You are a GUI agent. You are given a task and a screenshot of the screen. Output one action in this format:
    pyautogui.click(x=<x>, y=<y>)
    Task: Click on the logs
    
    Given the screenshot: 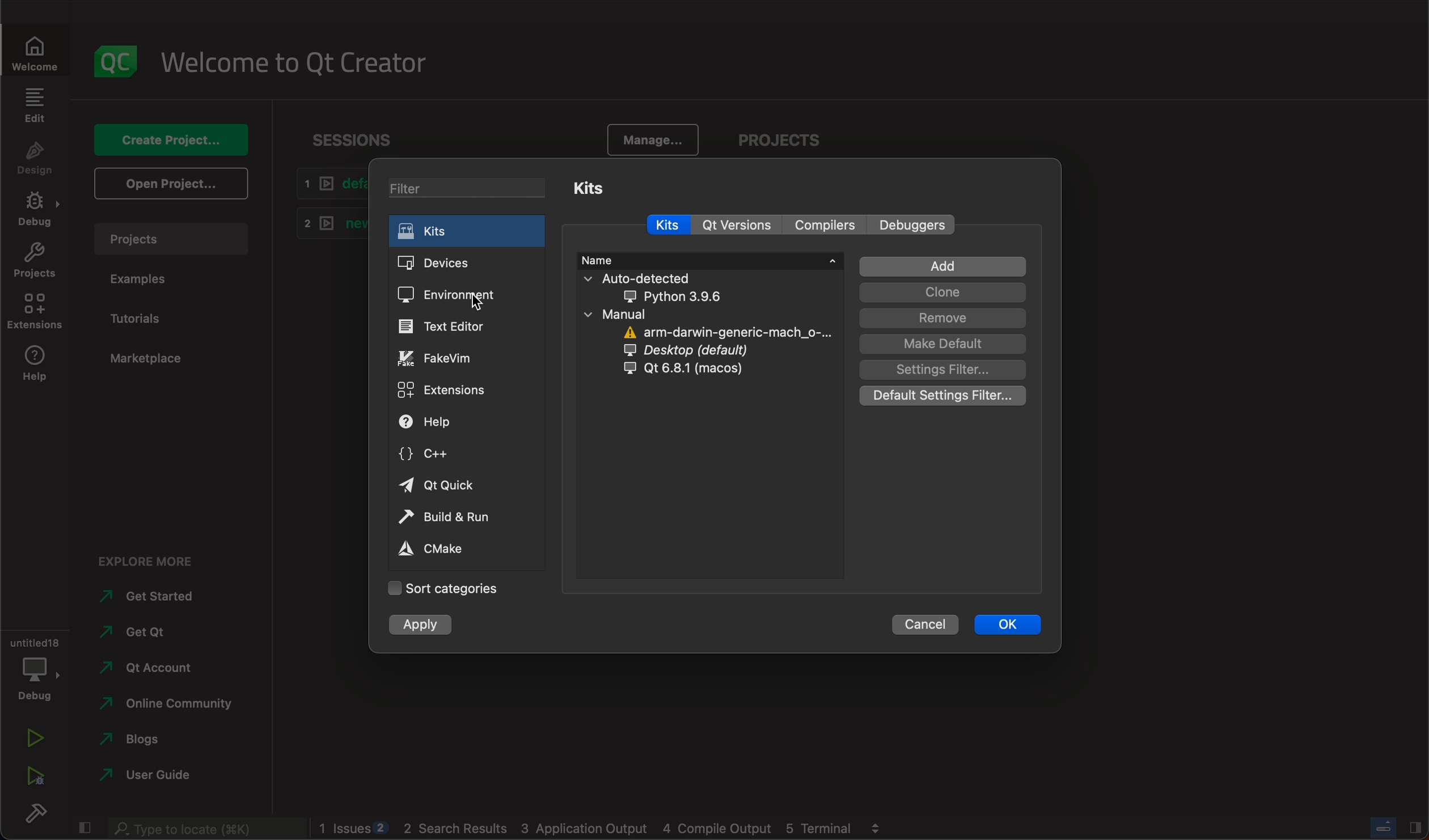 What is the action you would take?
    pyautogui.click(x=603, y=829)
    